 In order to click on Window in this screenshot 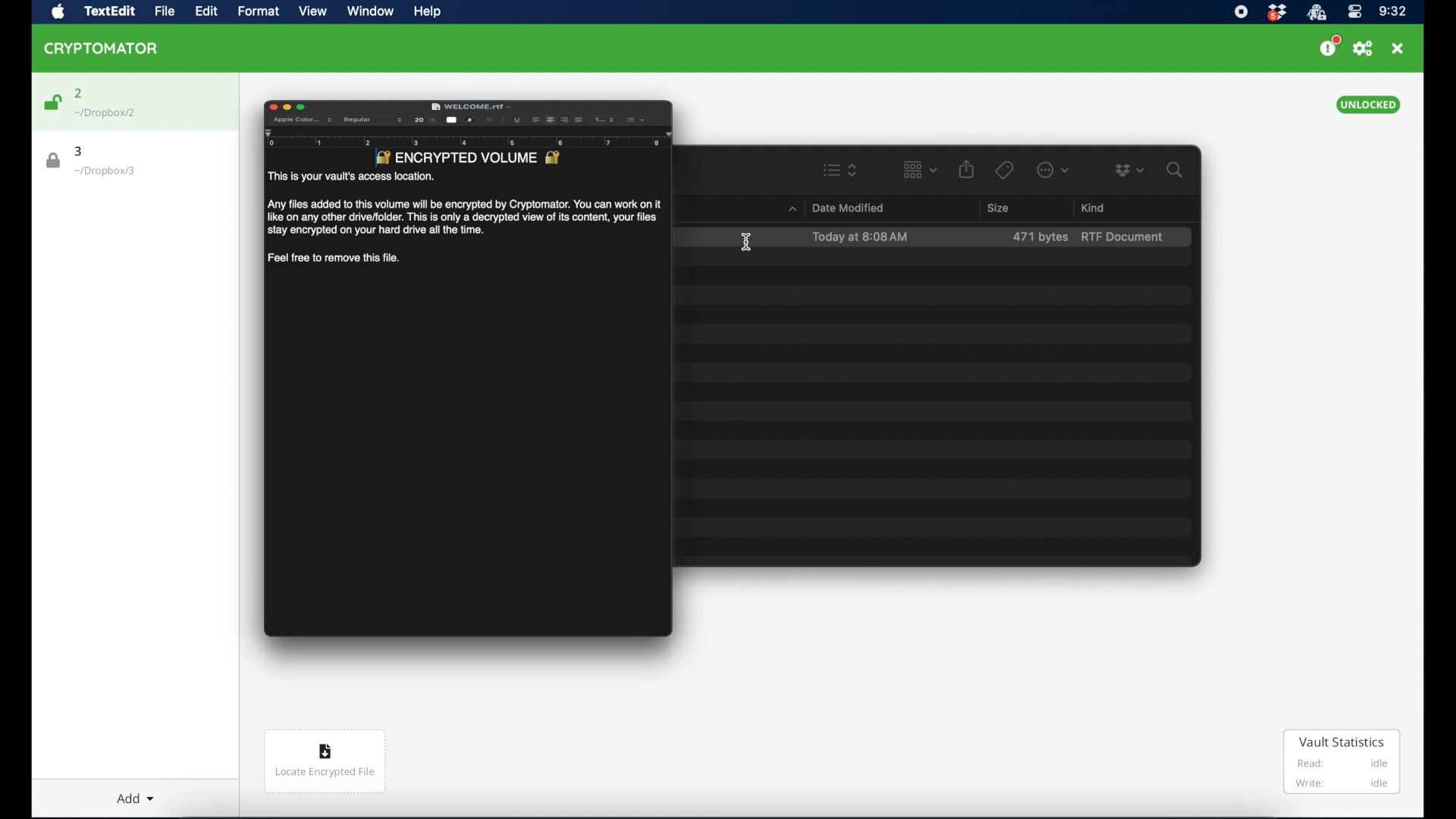, I will do `click(371, 10)`.